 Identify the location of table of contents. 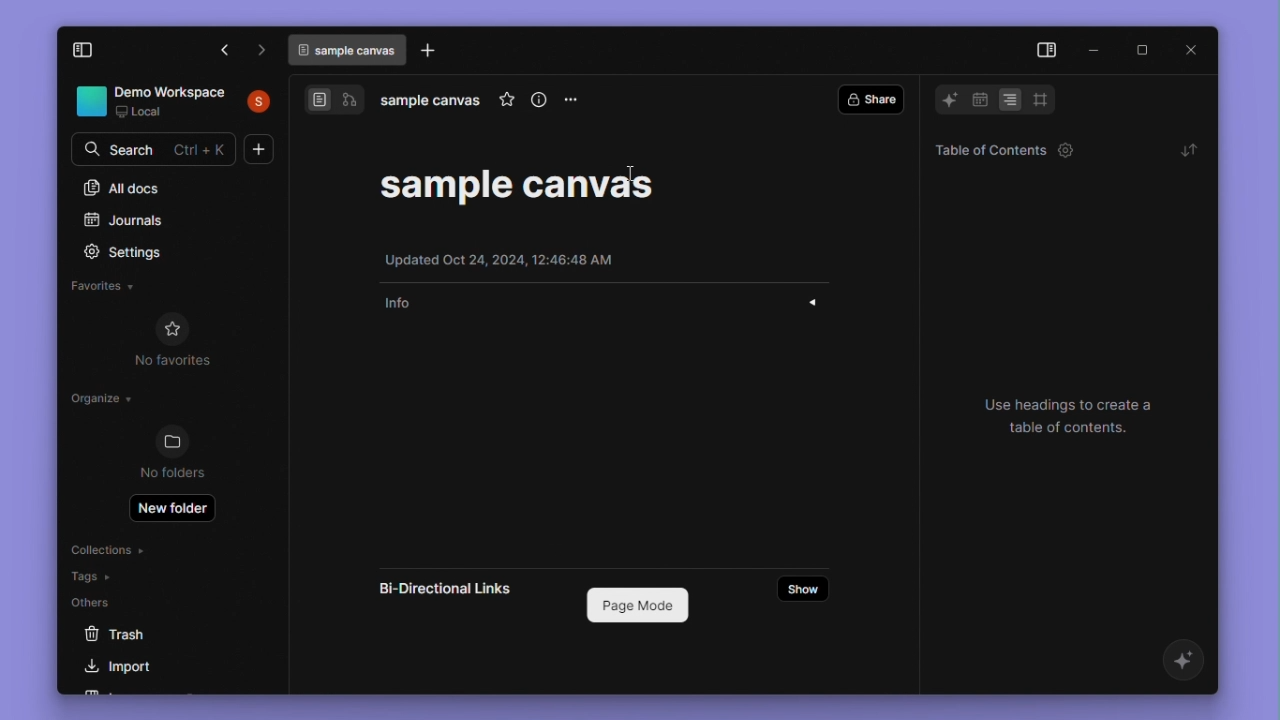
(998, 149).